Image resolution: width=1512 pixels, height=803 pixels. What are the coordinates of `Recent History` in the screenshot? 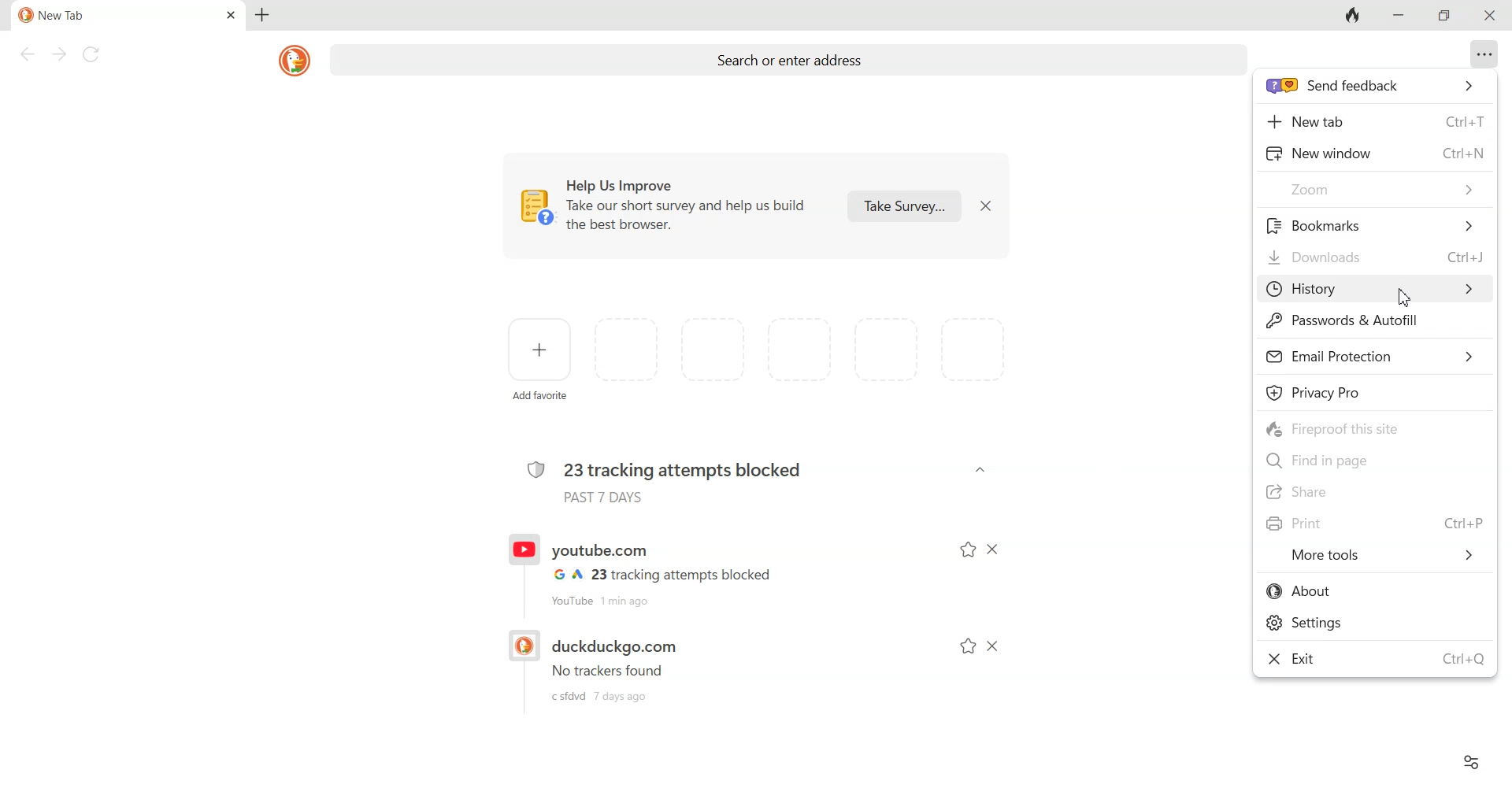 It's located at (660, 570).